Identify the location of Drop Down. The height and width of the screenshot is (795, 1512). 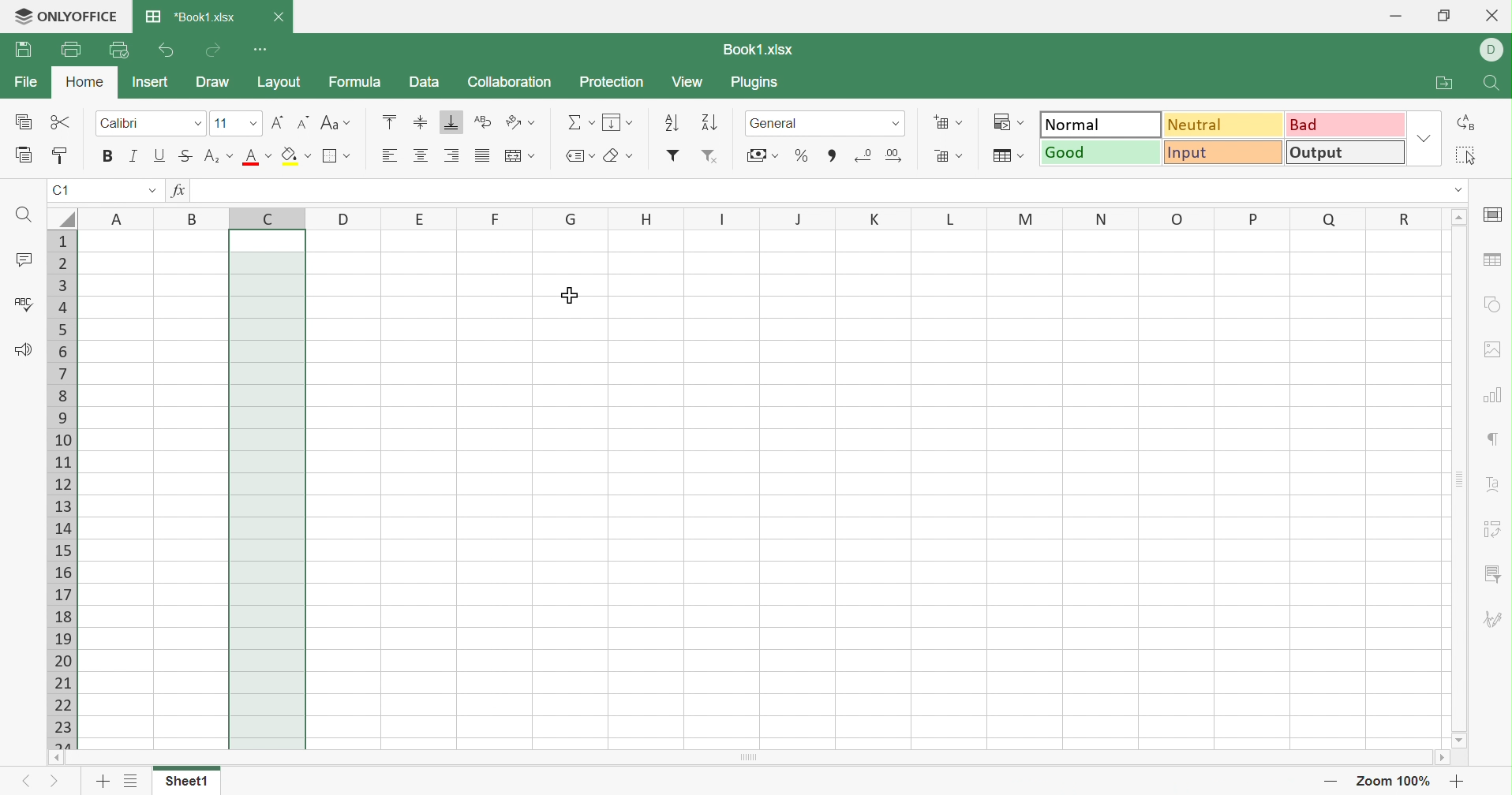
(232, 157).